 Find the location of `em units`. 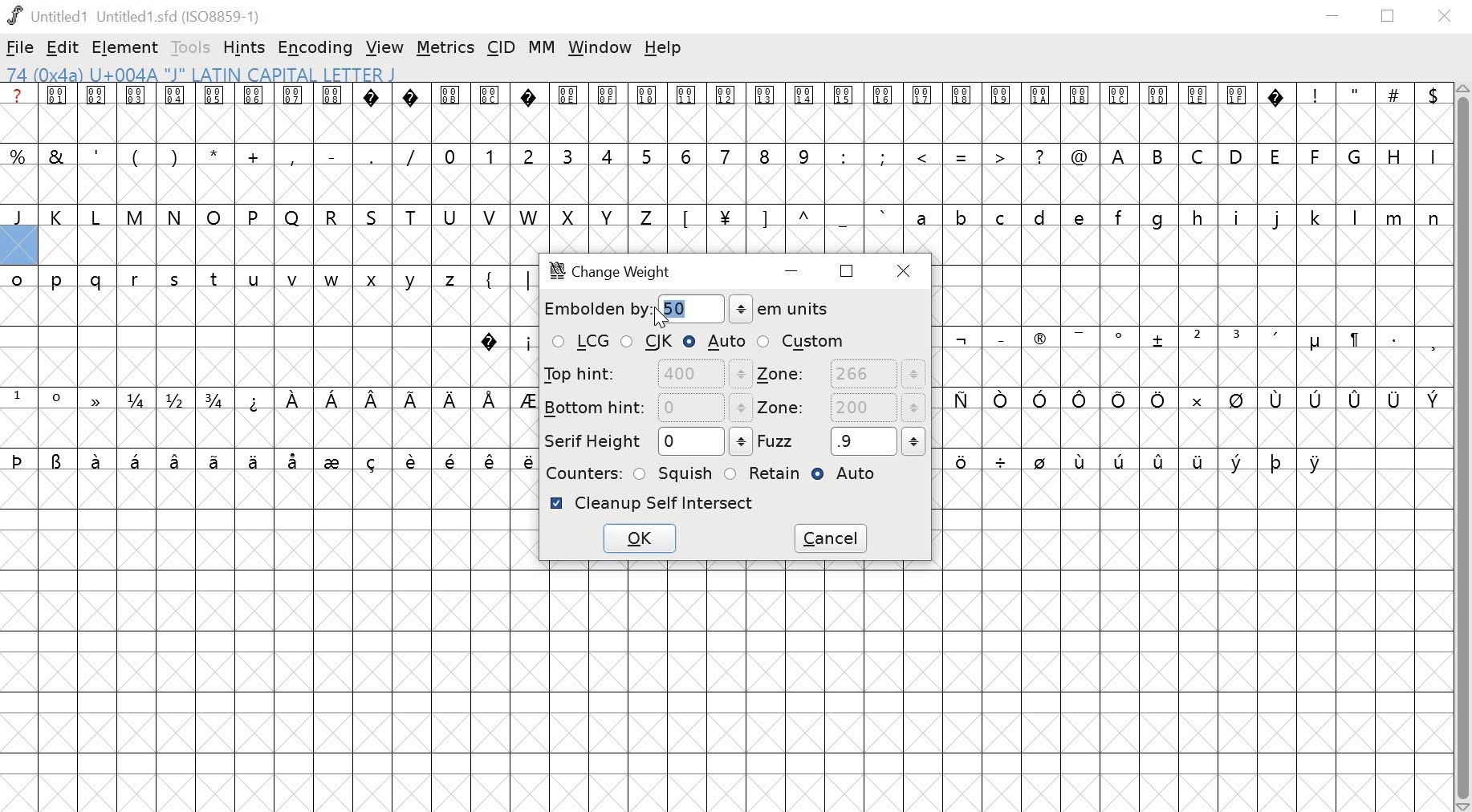

em units is located at coordinates (780, 309).